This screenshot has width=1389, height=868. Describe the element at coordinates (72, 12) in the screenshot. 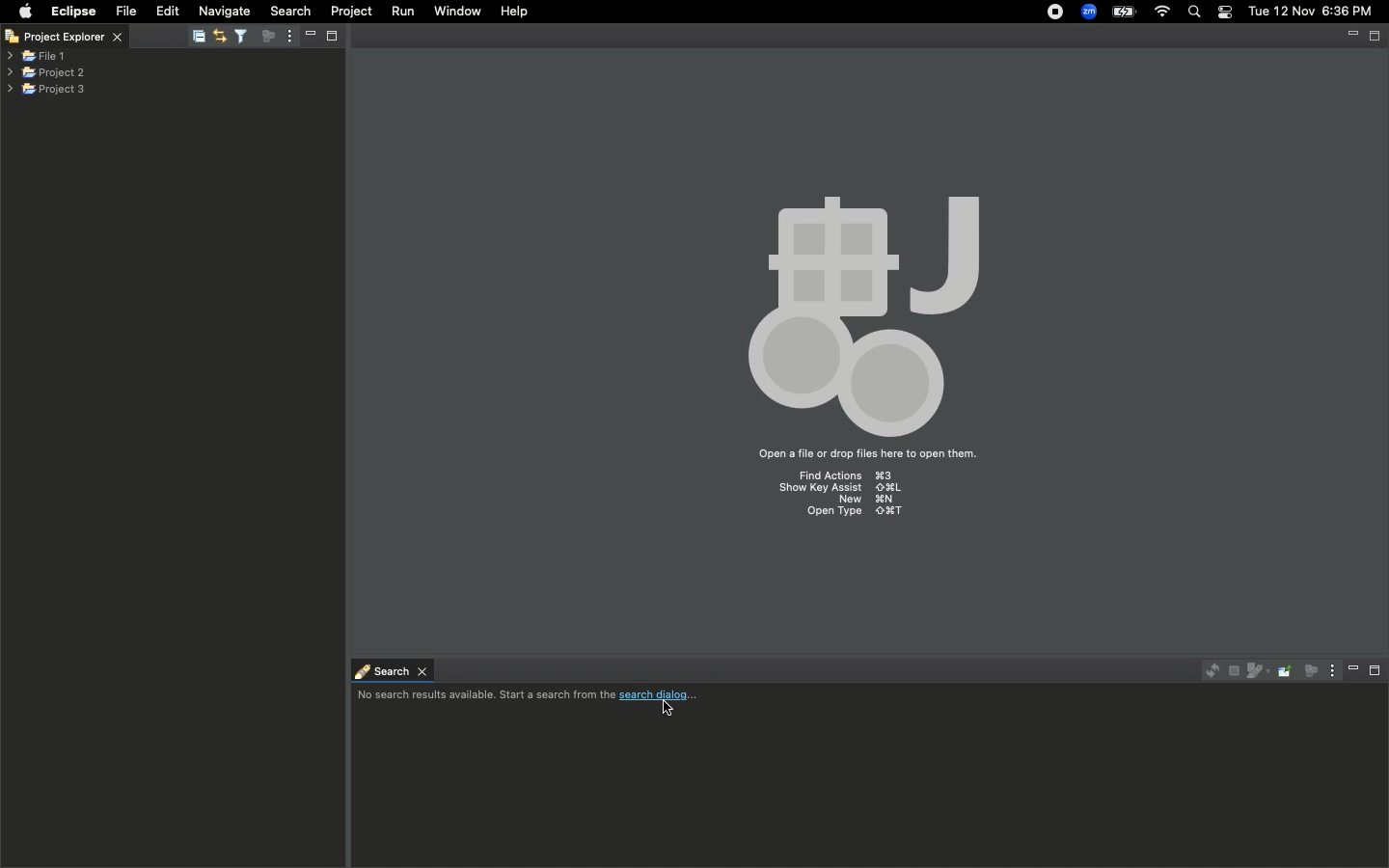

I see `Eclipse` at that location.